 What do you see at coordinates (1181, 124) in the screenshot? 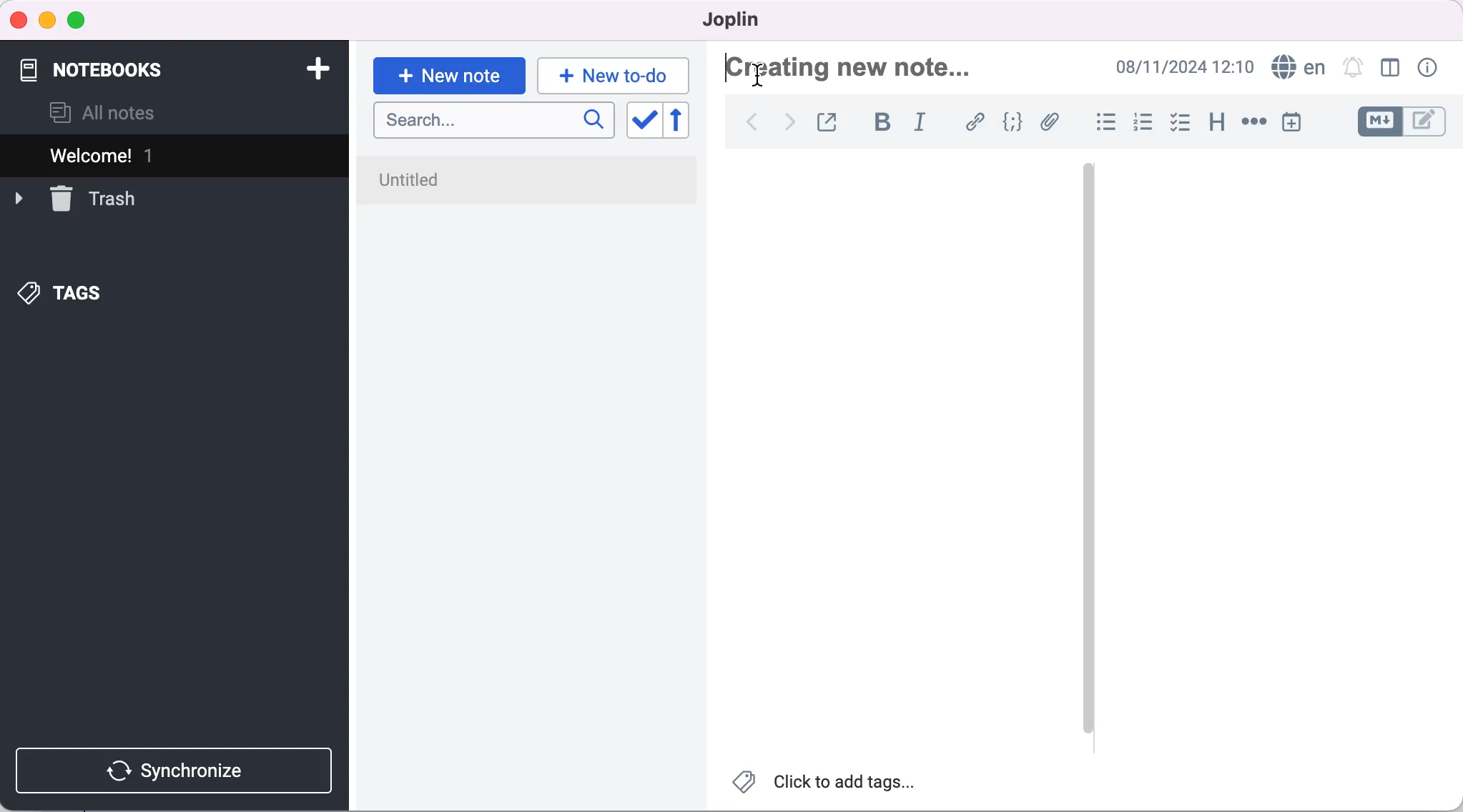
I see `checkbox` at bounding box center [1181, 124].